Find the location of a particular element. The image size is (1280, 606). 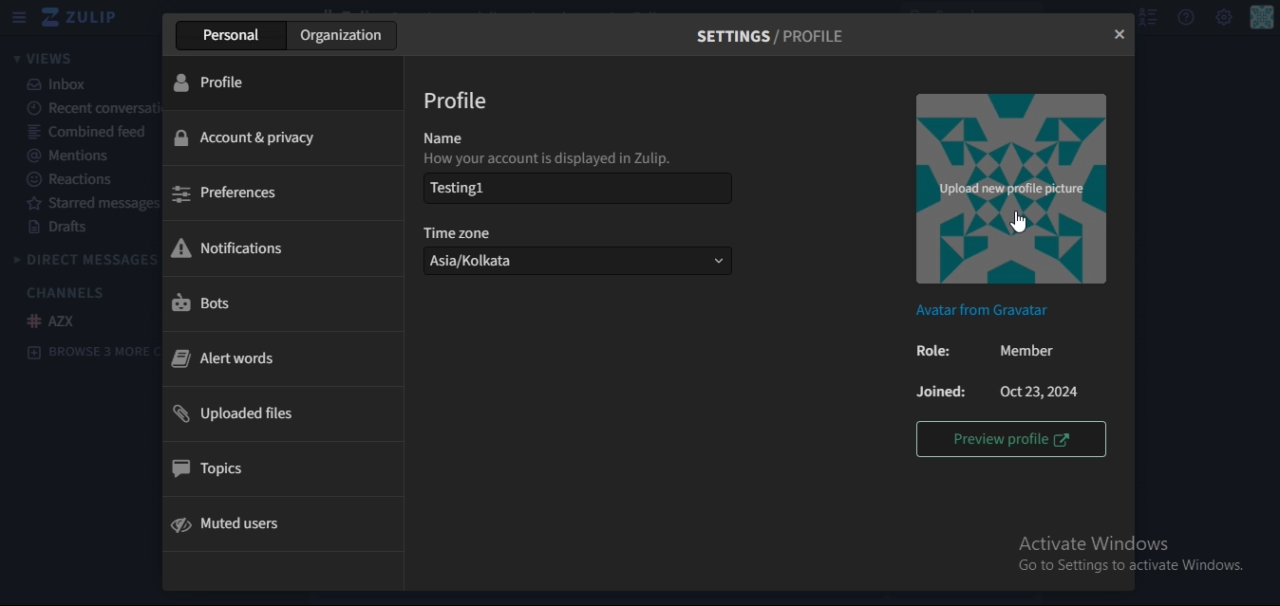

Asia/Kolkata  is located at coordinates (472, 261).